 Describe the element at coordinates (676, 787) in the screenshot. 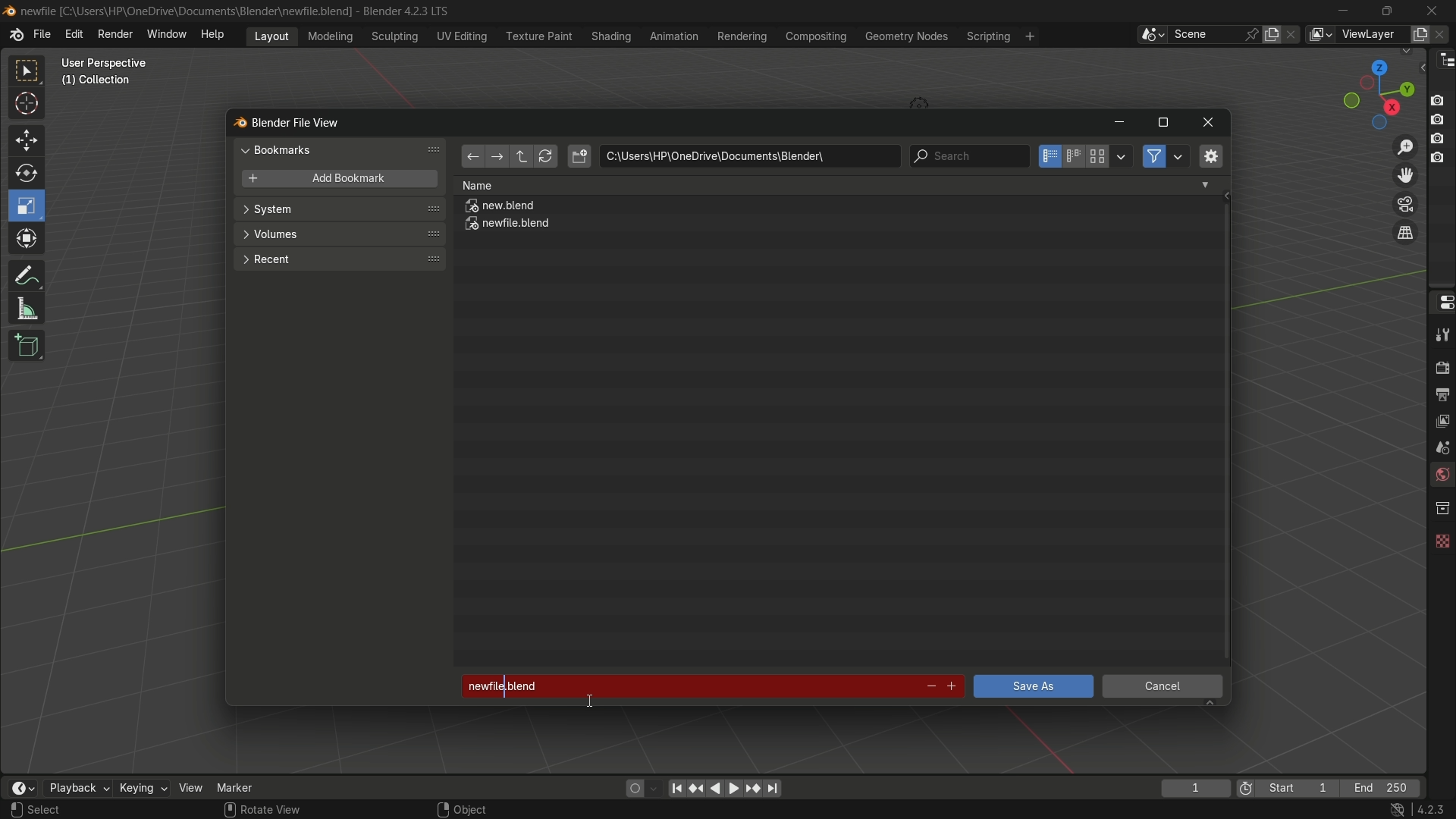

I see `jump to endpoint` at that location.